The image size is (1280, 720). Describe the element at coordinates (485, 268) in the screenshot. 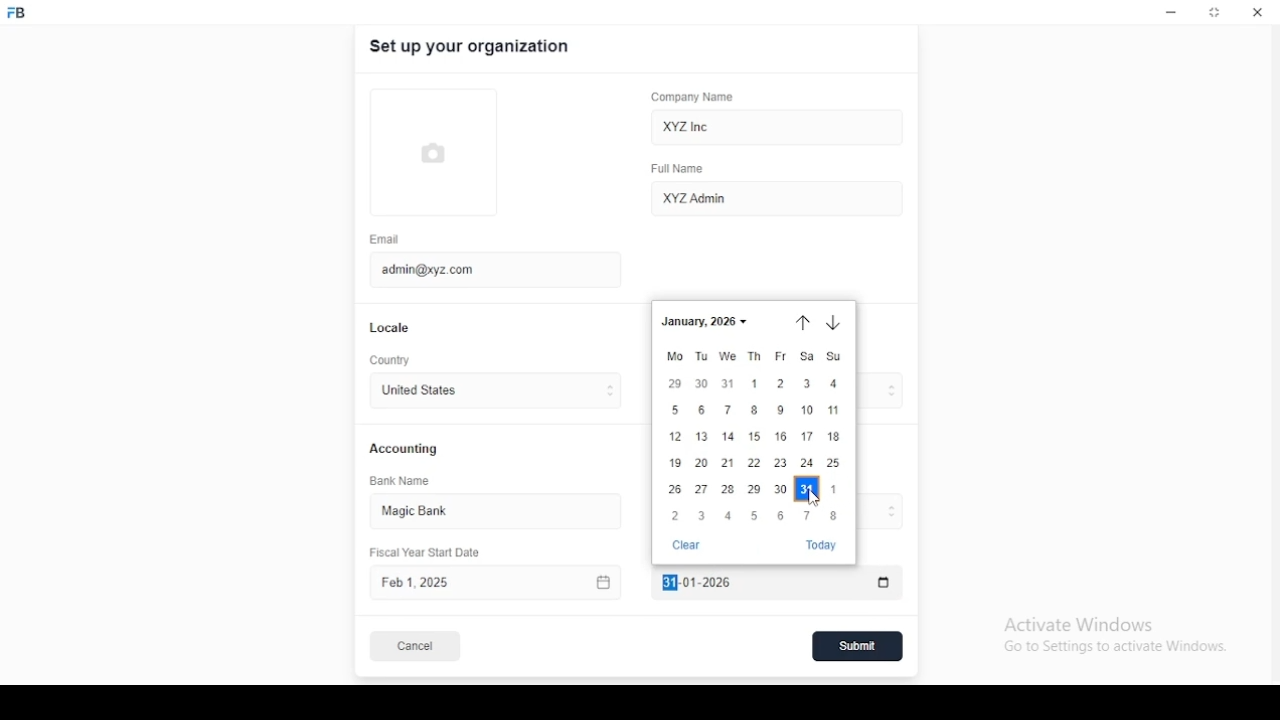

I see `admin@xyz.com` at that location.